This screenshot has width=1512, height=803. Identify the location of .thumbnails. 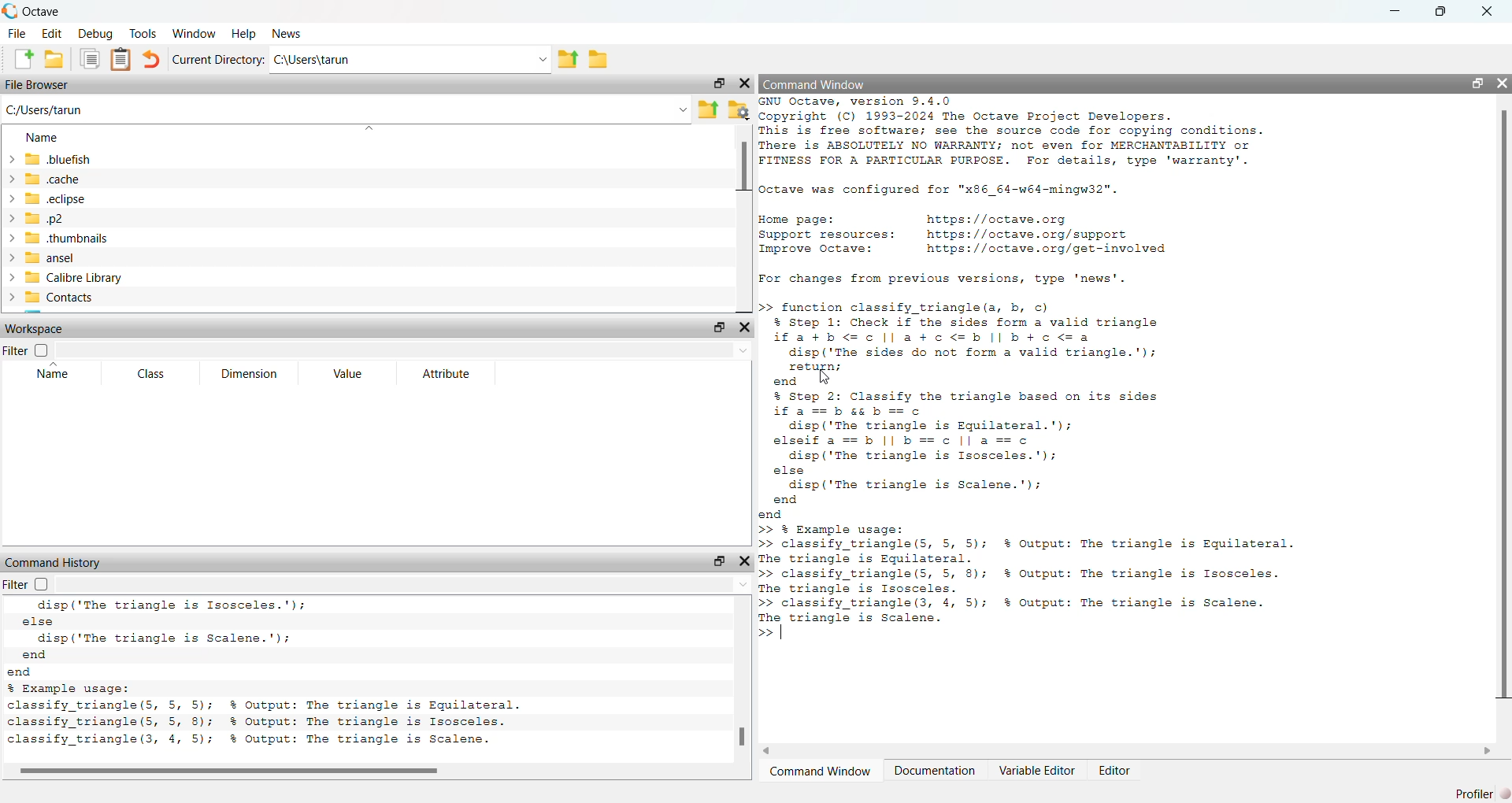
(71, 239).